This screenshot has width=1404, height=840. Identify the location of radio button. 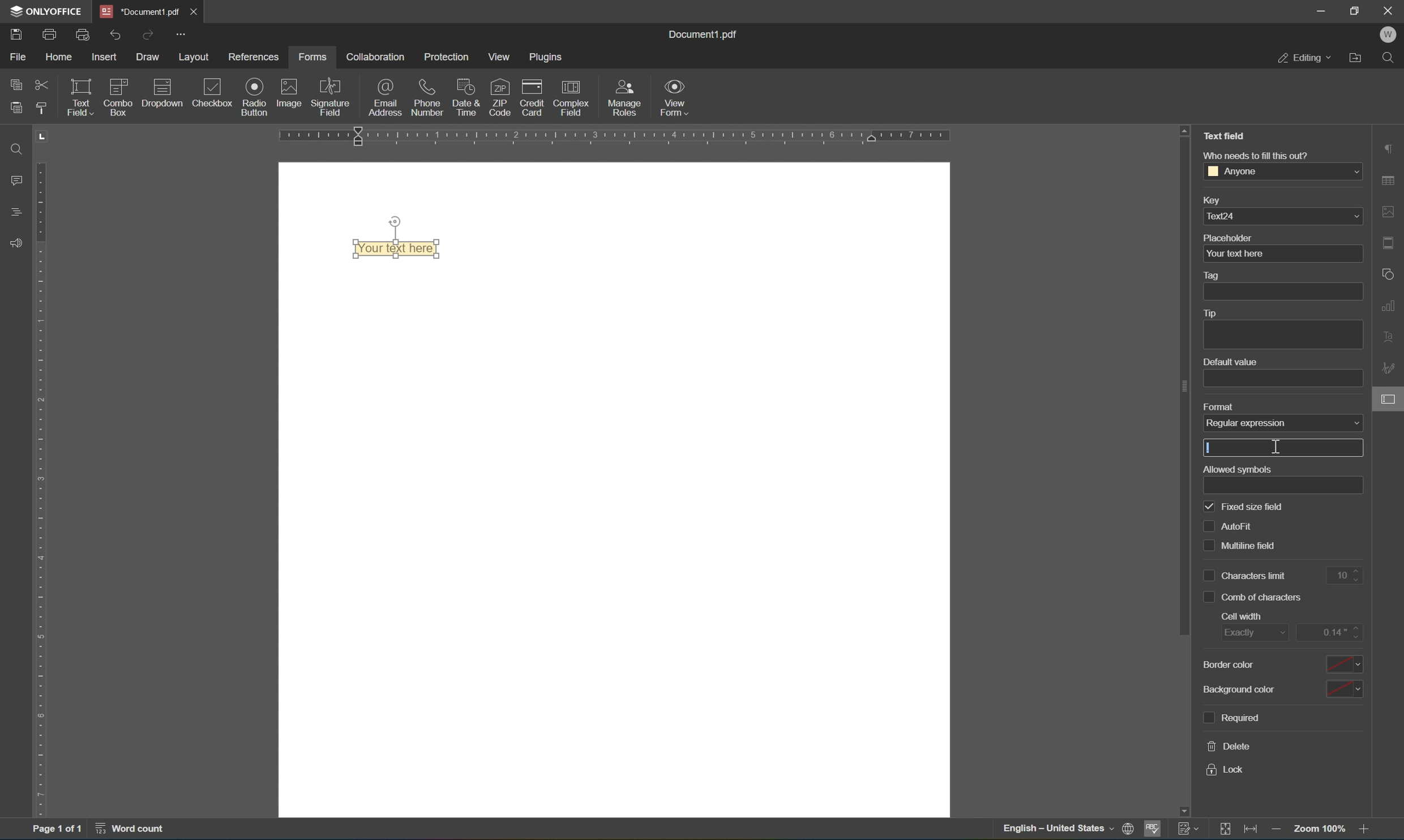
(256, 96).